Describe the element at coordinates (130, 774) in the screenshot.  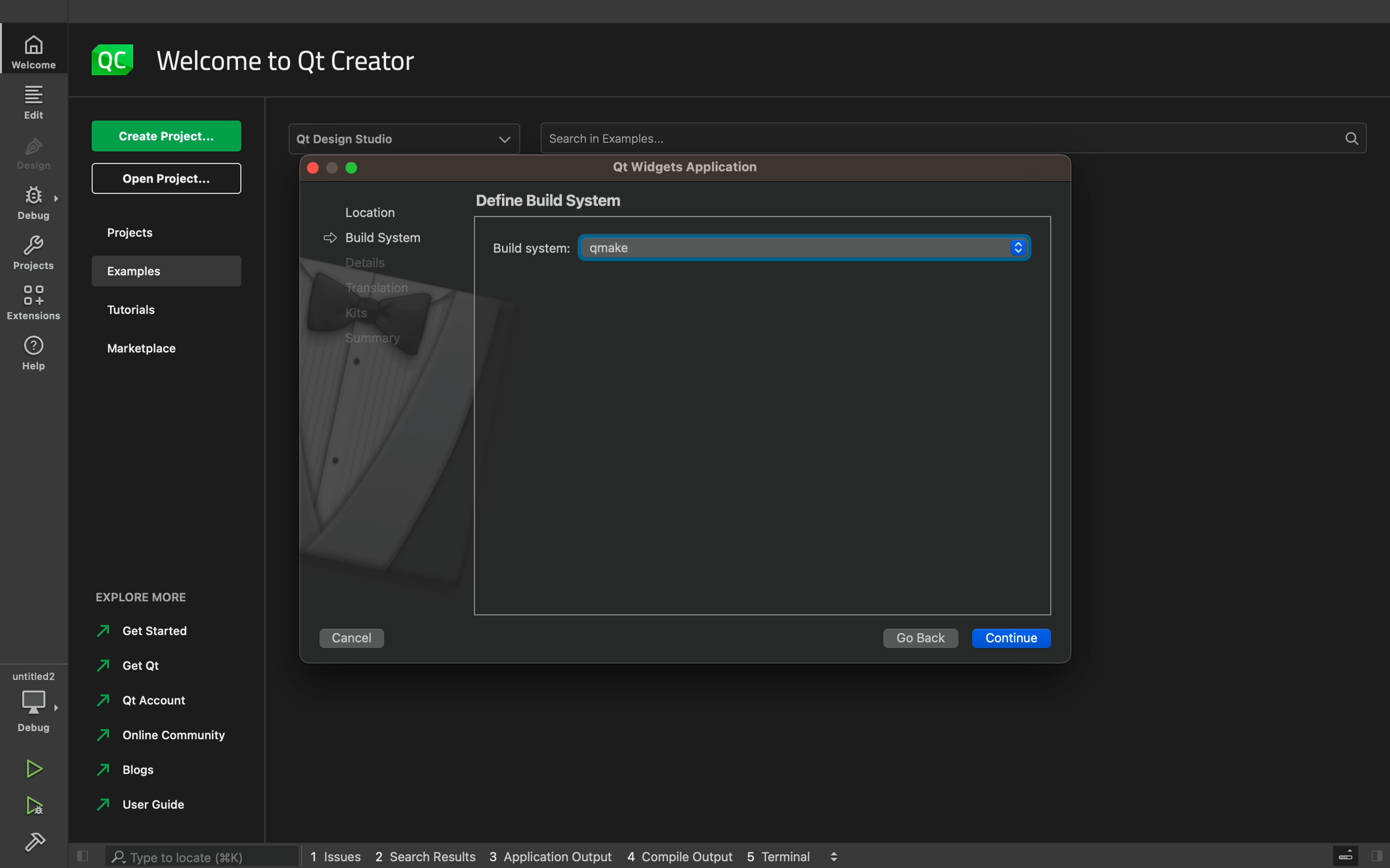
I see `` at that location.